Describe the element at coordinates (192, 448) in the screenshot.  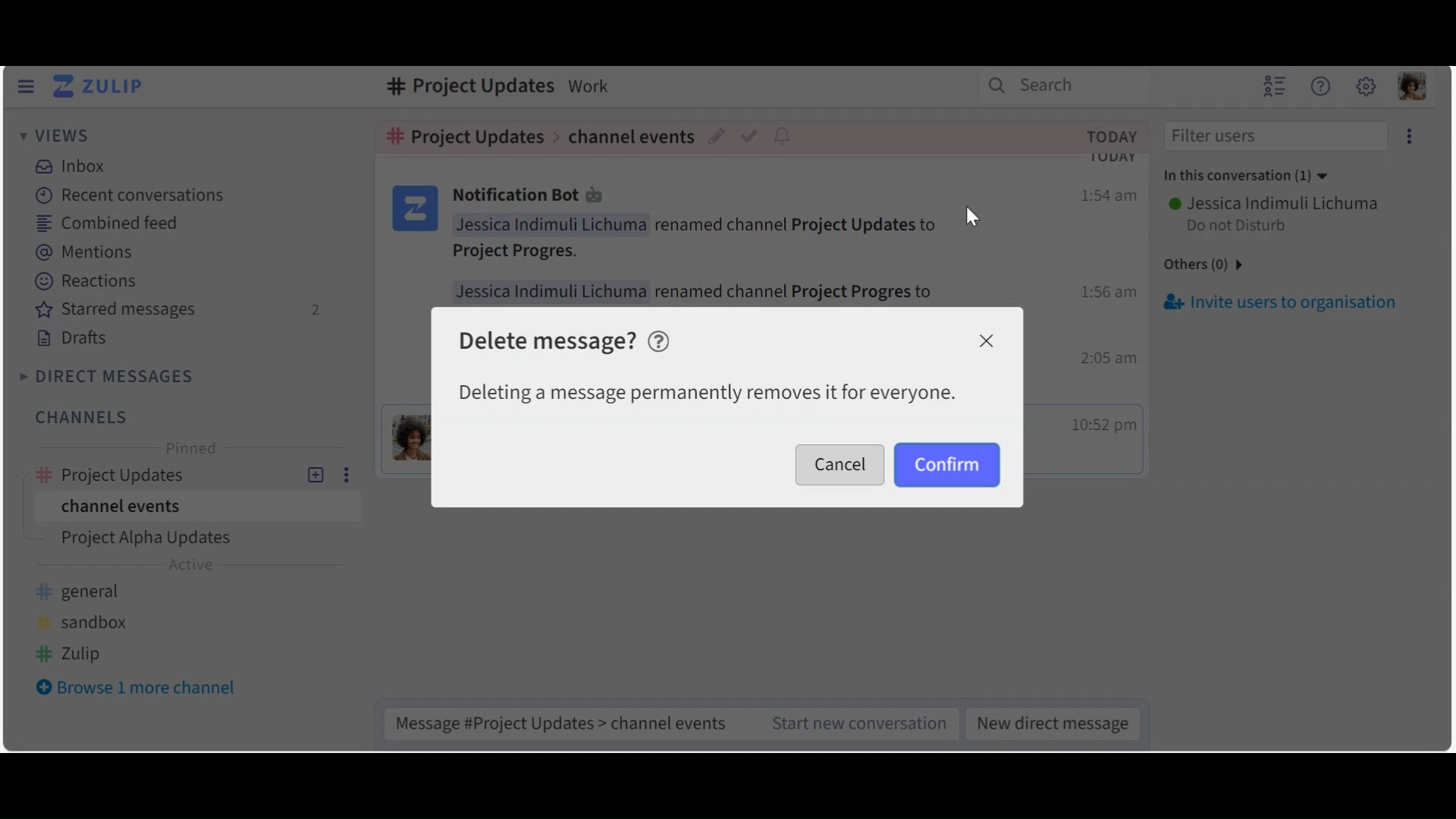
I see `Pinned` at that location.